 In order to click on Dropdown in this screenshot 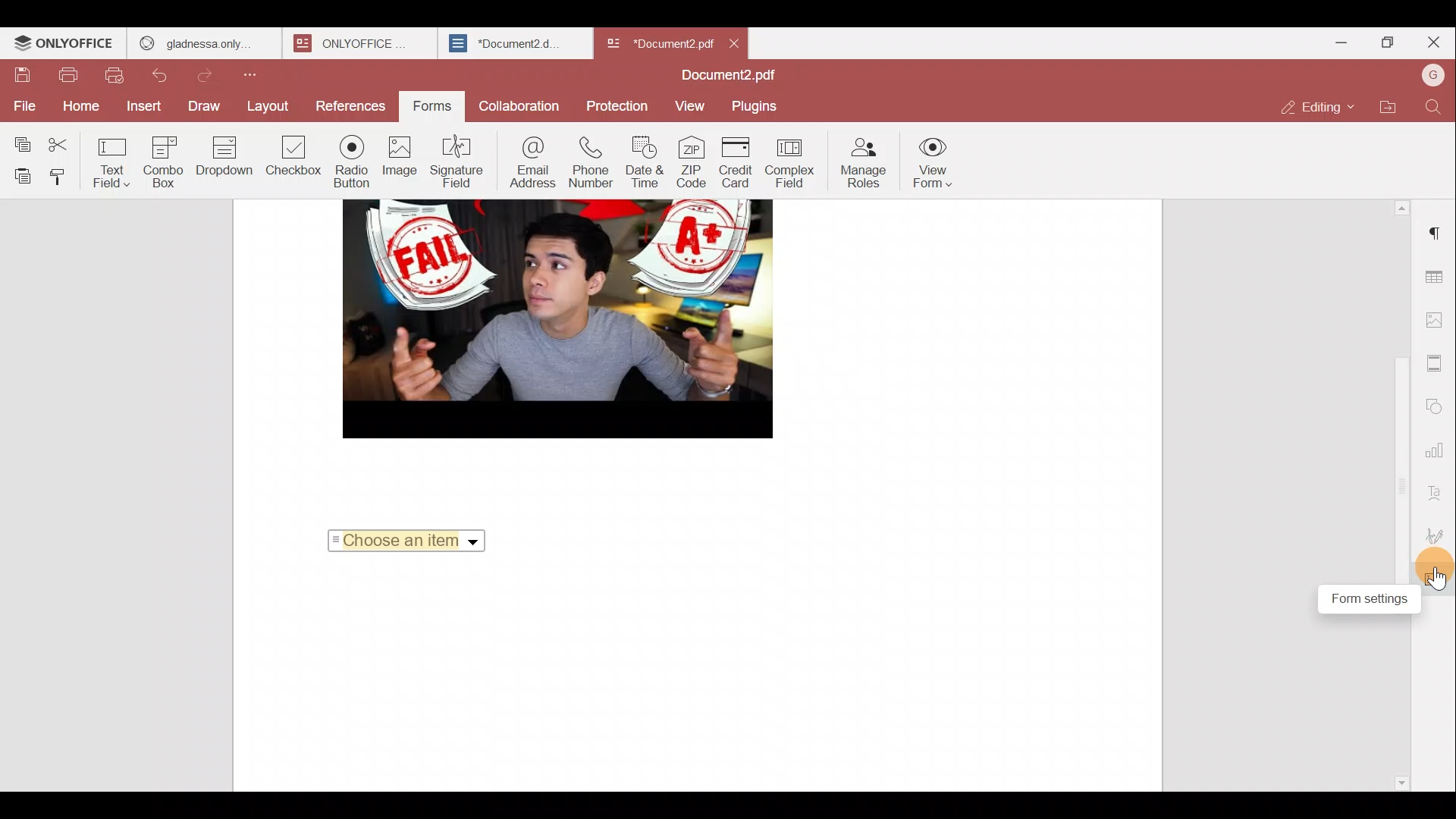, I will do `click(227, 156)`.